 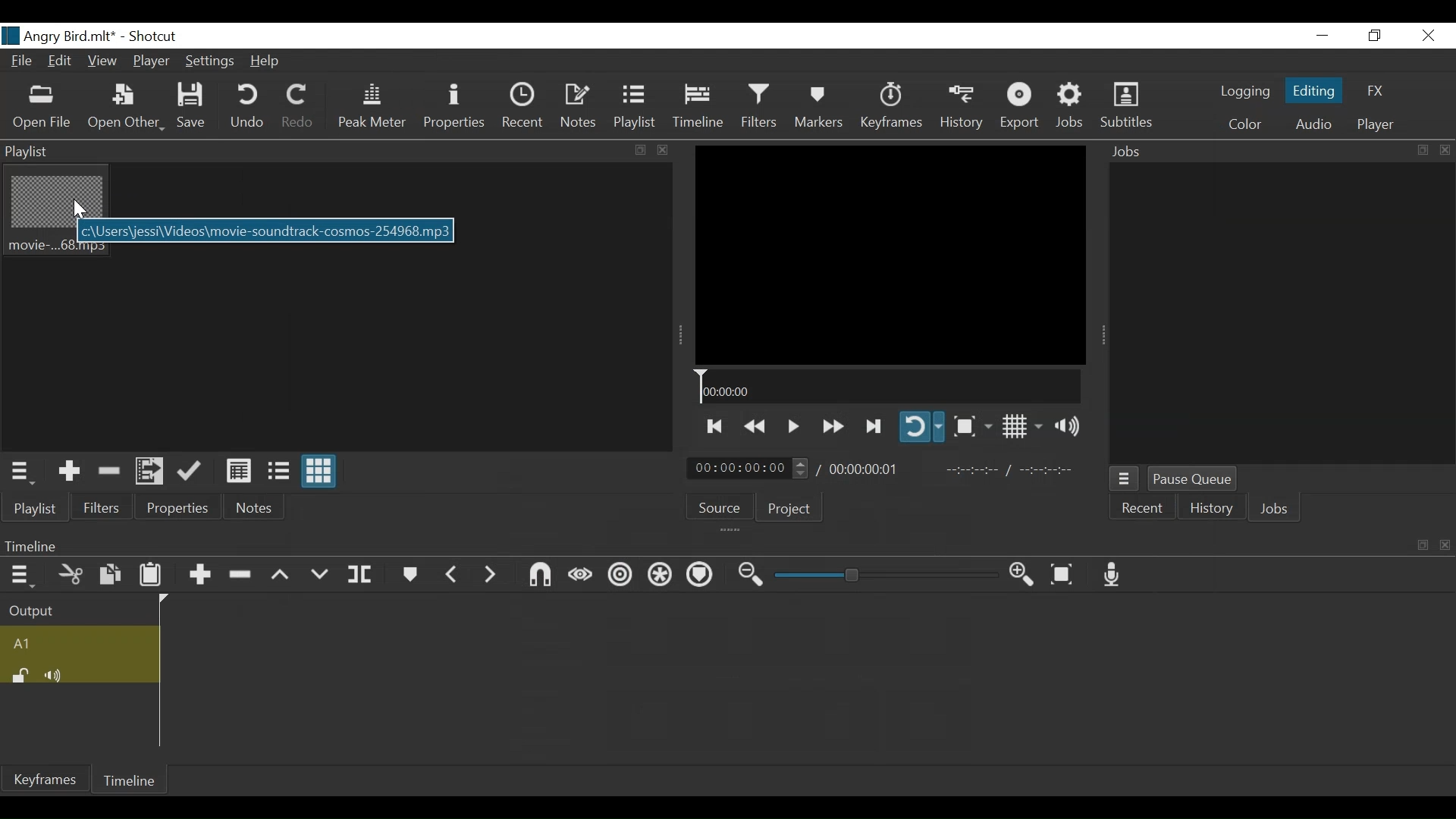 What do you see at coordinates (888, 387) in the screenshot?
I see `Timeline` at bounding box center [888, 387].